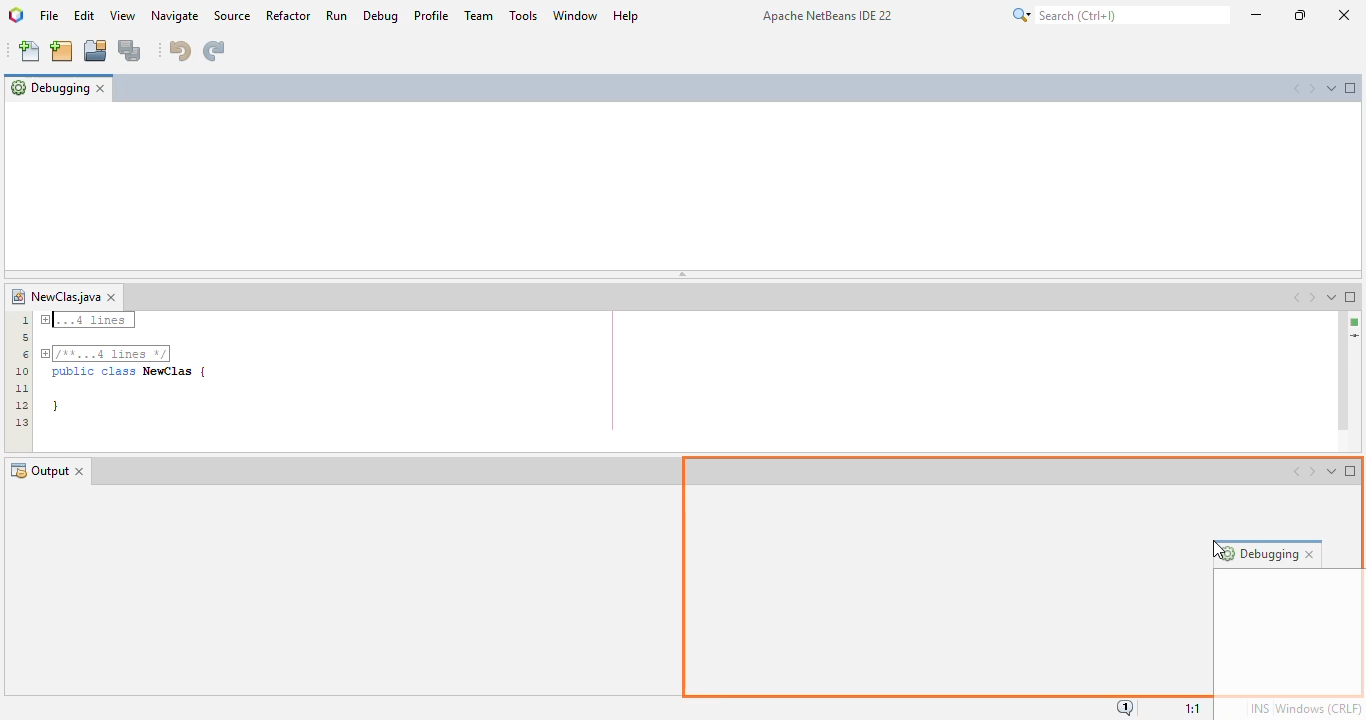 The width and height of the screenshot is (1366, 720). I want to click on debugging window, so click(683, 184).